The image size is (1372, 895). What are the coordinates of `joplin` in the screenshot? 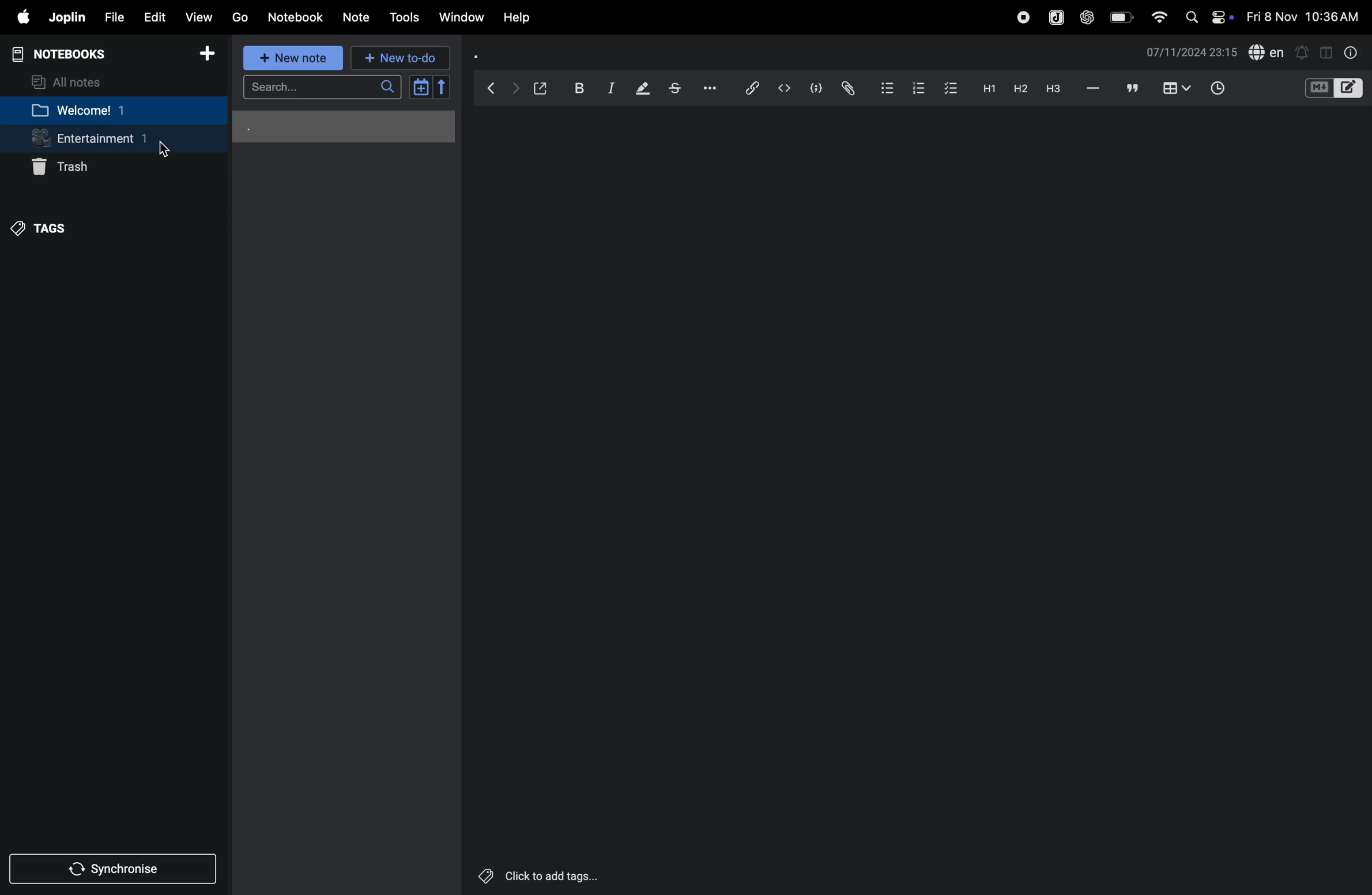 It's located at (66, 18).